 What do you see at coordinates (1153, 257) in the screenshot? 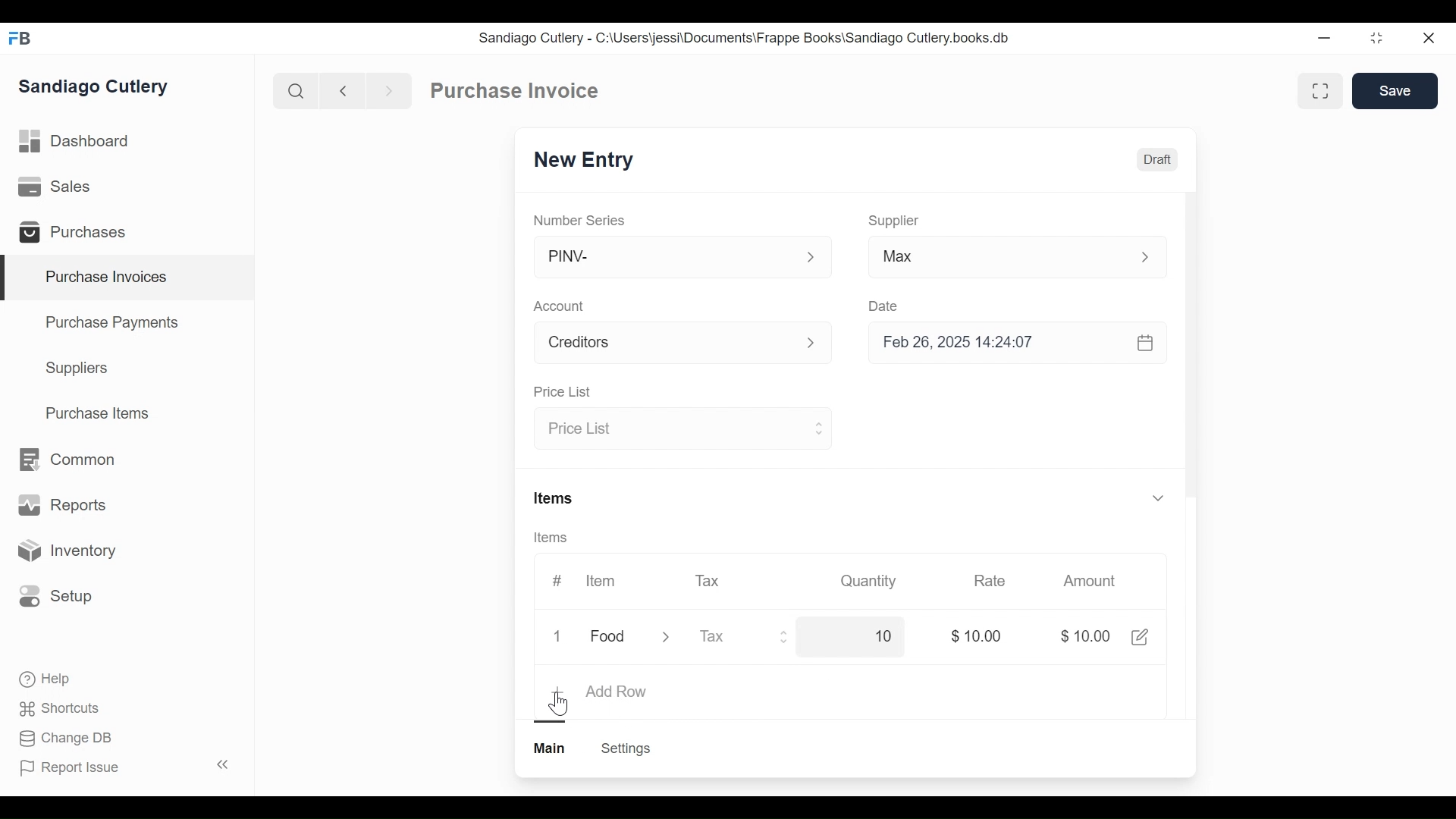
I see `Expand` at bounding box center [1153, 257].